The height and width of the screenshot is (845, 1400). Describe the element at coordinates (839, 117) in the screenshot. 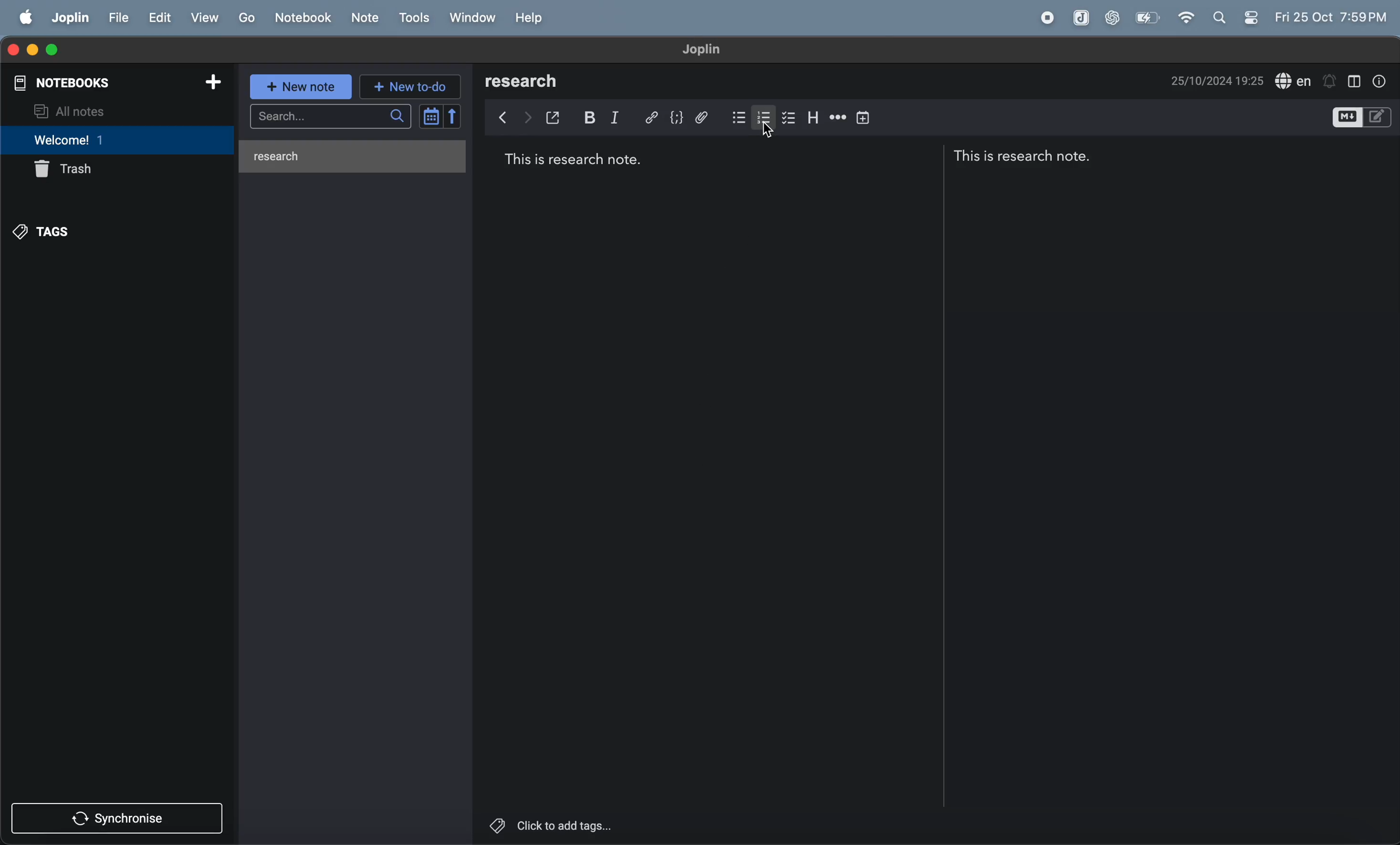

I see `horizontal lines` at that location.